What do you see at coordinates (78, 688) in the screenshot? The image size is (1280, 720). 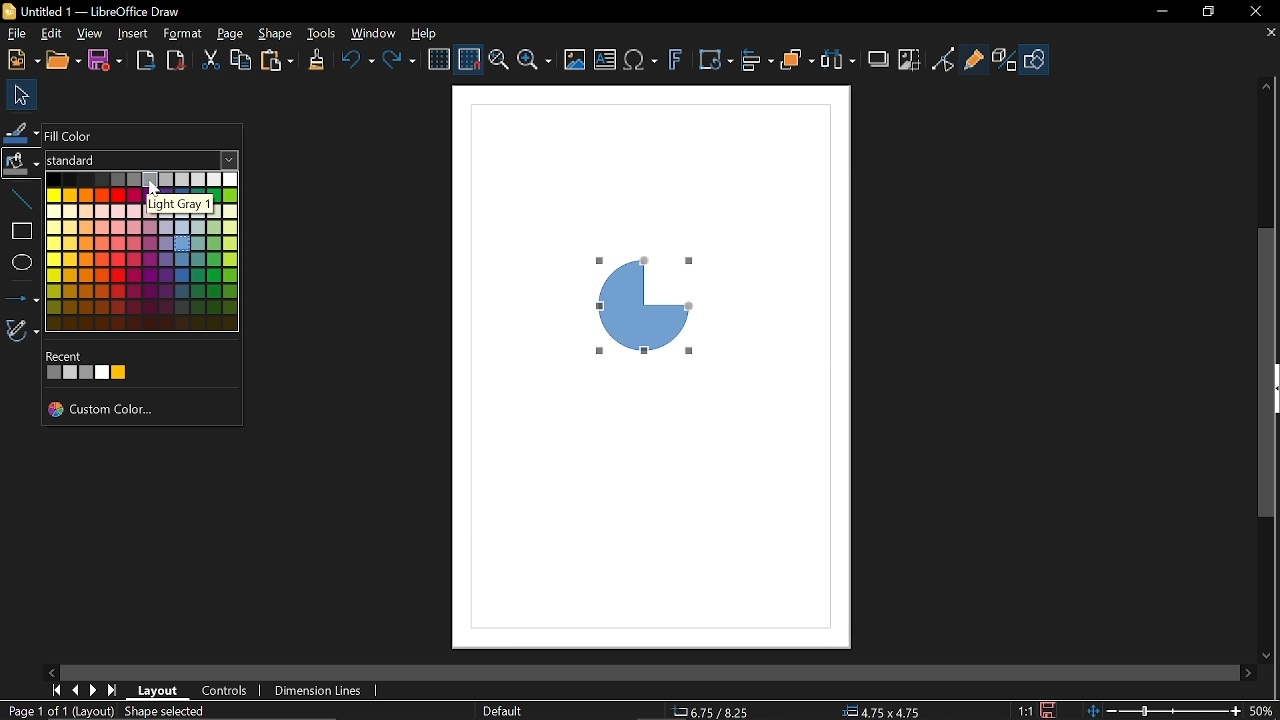 I see `Previous page` at bounding box center [78, 688].